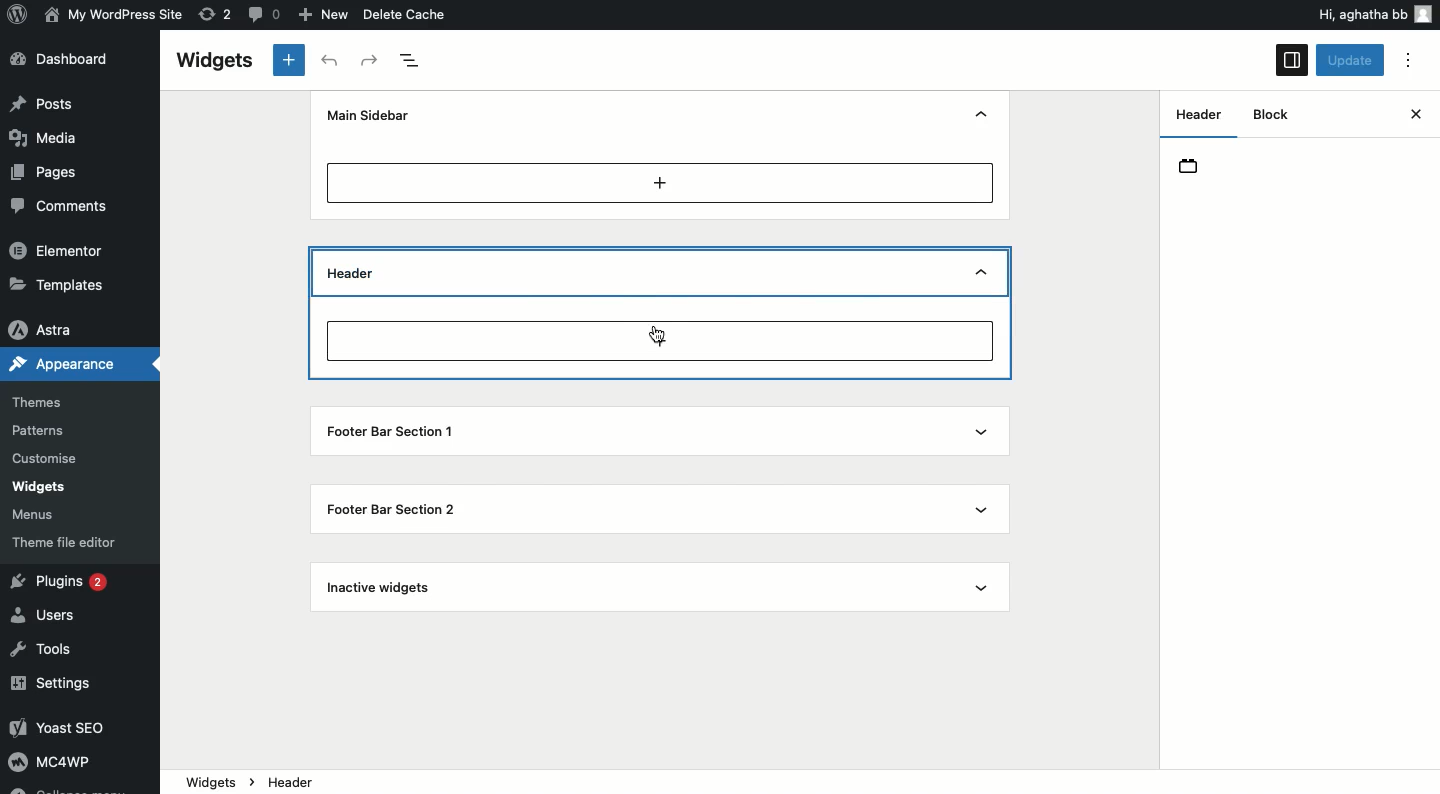 Image resolution: width=1440 pixels, height=794 pixels. I want to click on Close, so click(1415, 114).